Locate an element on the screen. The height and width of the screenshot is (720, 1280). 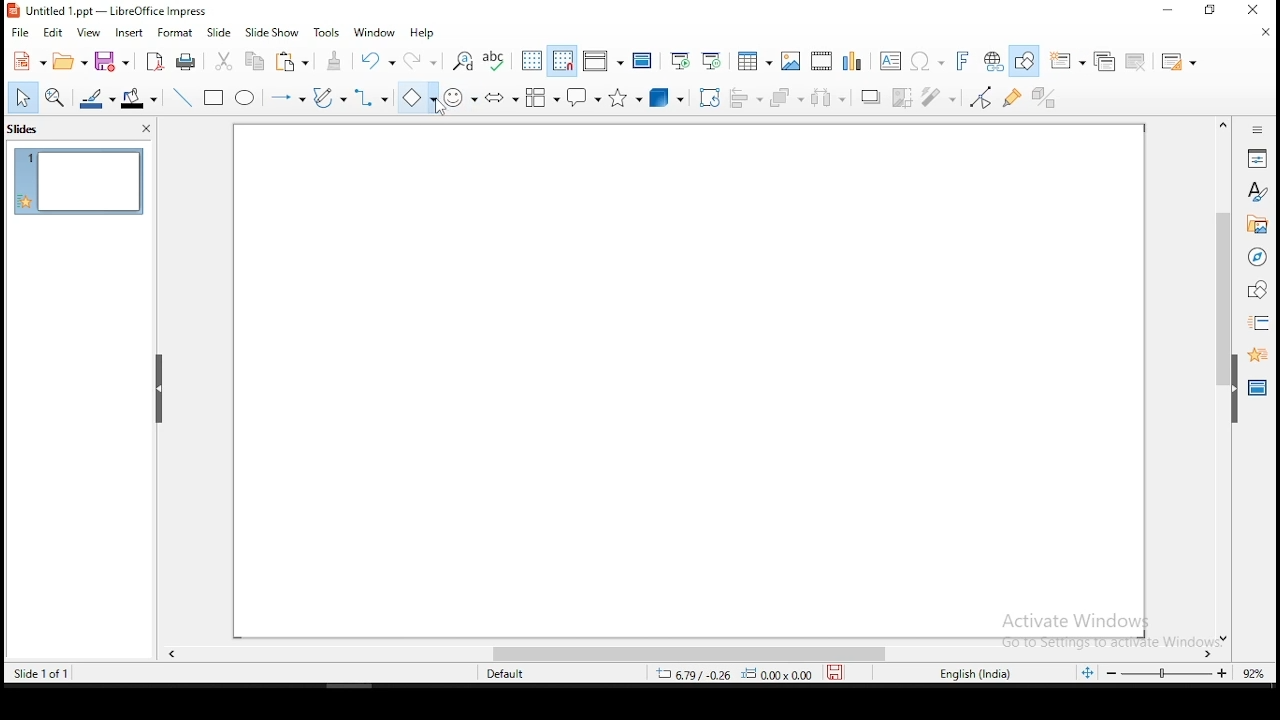
help is located at coordinates (427, 33).